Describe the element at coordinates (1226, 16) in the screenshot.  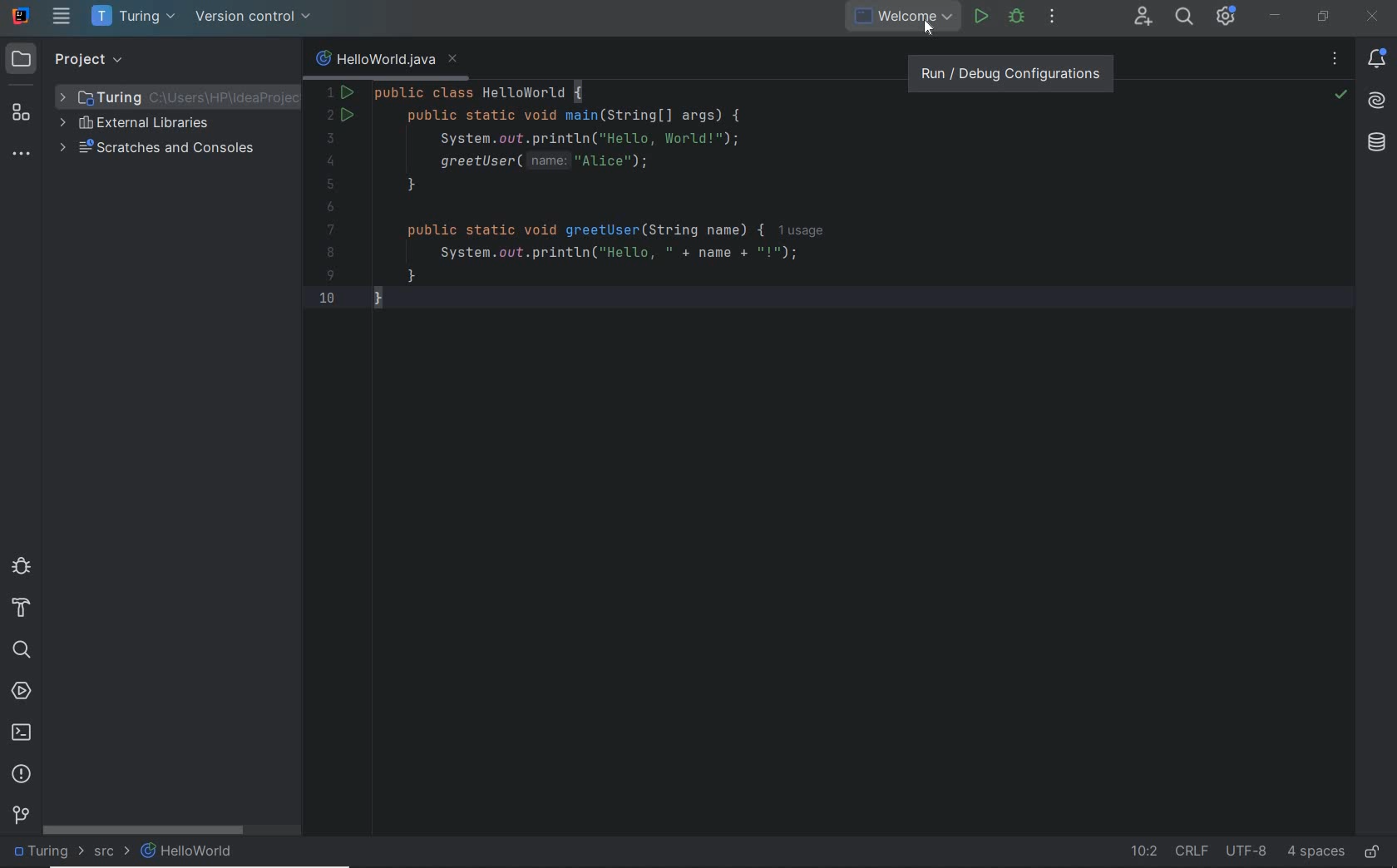
I see `IDE & Project Settings` at that location.